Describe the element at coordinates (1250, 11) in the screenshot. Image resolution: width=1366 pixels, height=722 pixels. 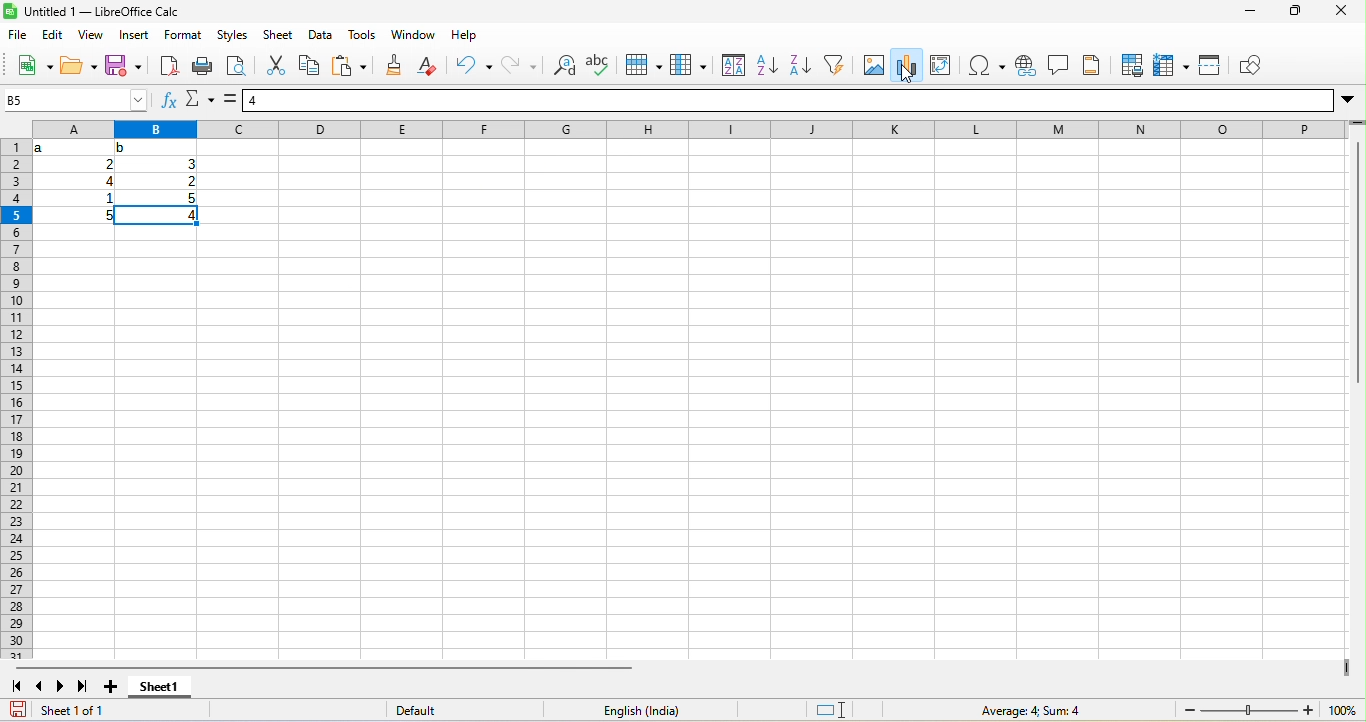
I see `minimize` at that location.